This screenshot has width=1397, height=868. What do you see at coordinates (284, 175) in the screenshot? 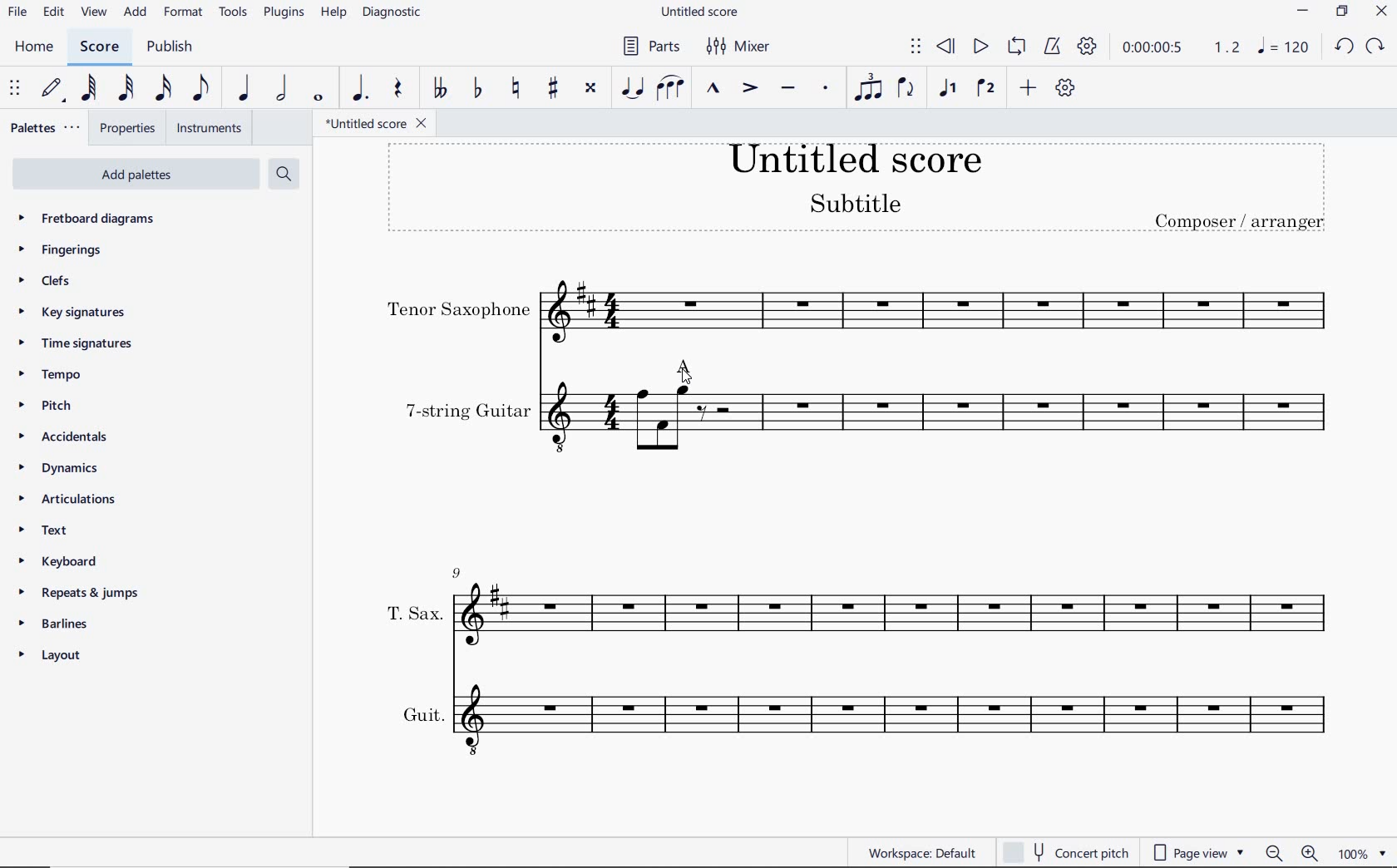
I see `SEARCH PALETTES` at bounding box center [284, 175].